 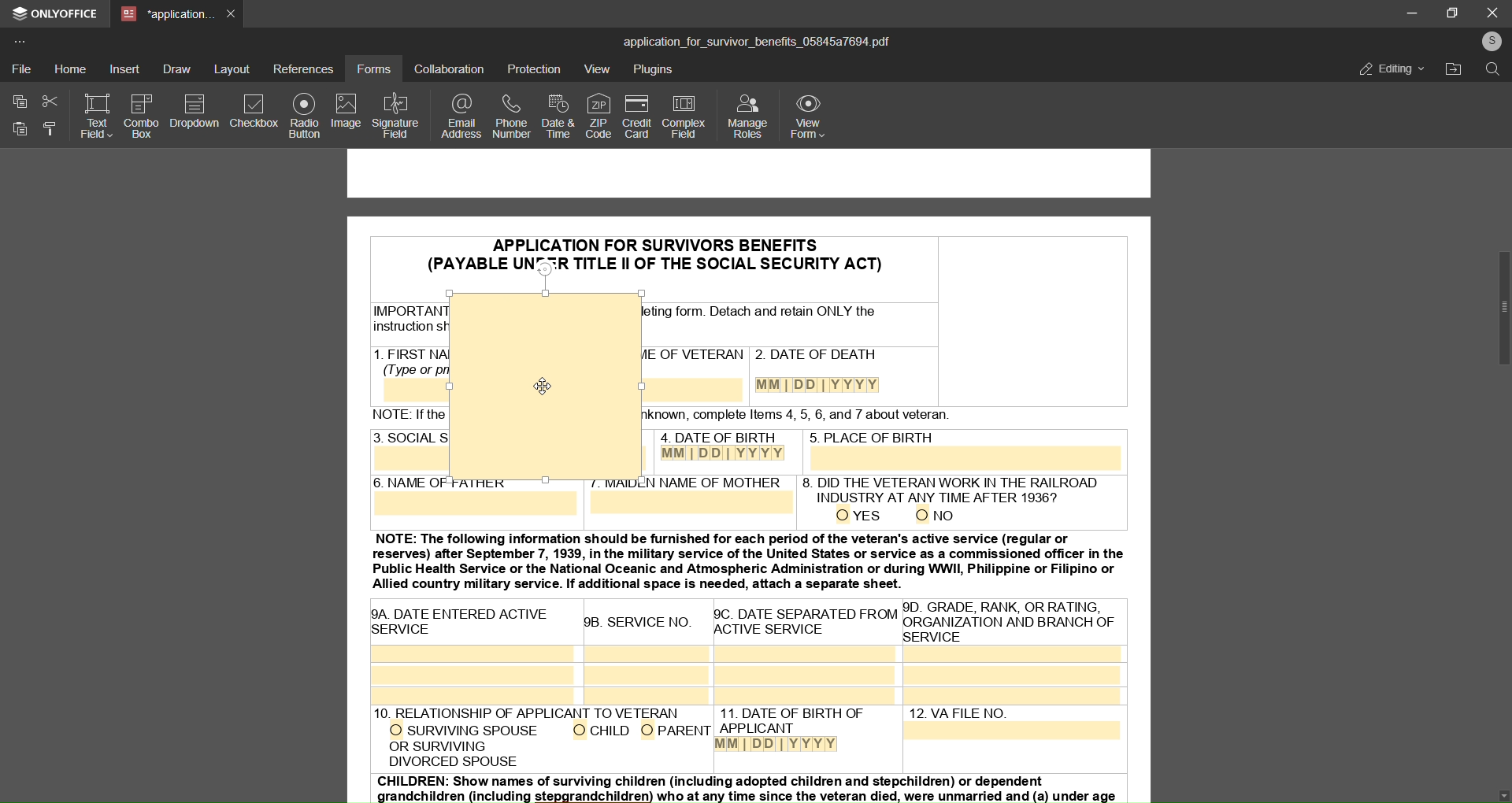 What do you see at coordinates (303, 117) in the screenshot?
I see `radio button` at bounding box center [303, 117].